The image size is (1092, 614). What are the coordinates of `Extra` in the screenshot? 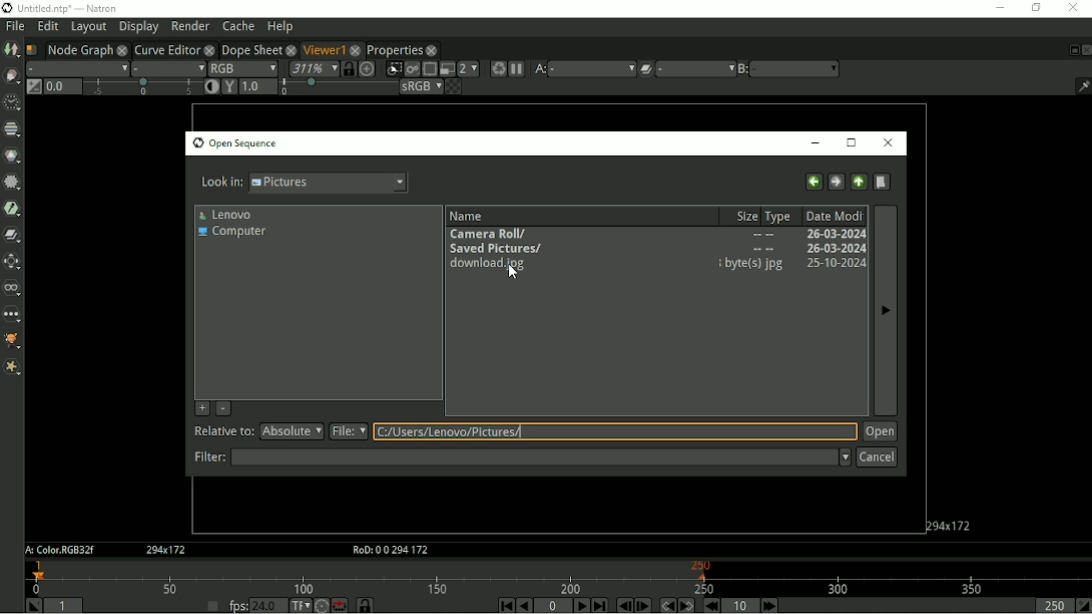 It's located at (12, 368).